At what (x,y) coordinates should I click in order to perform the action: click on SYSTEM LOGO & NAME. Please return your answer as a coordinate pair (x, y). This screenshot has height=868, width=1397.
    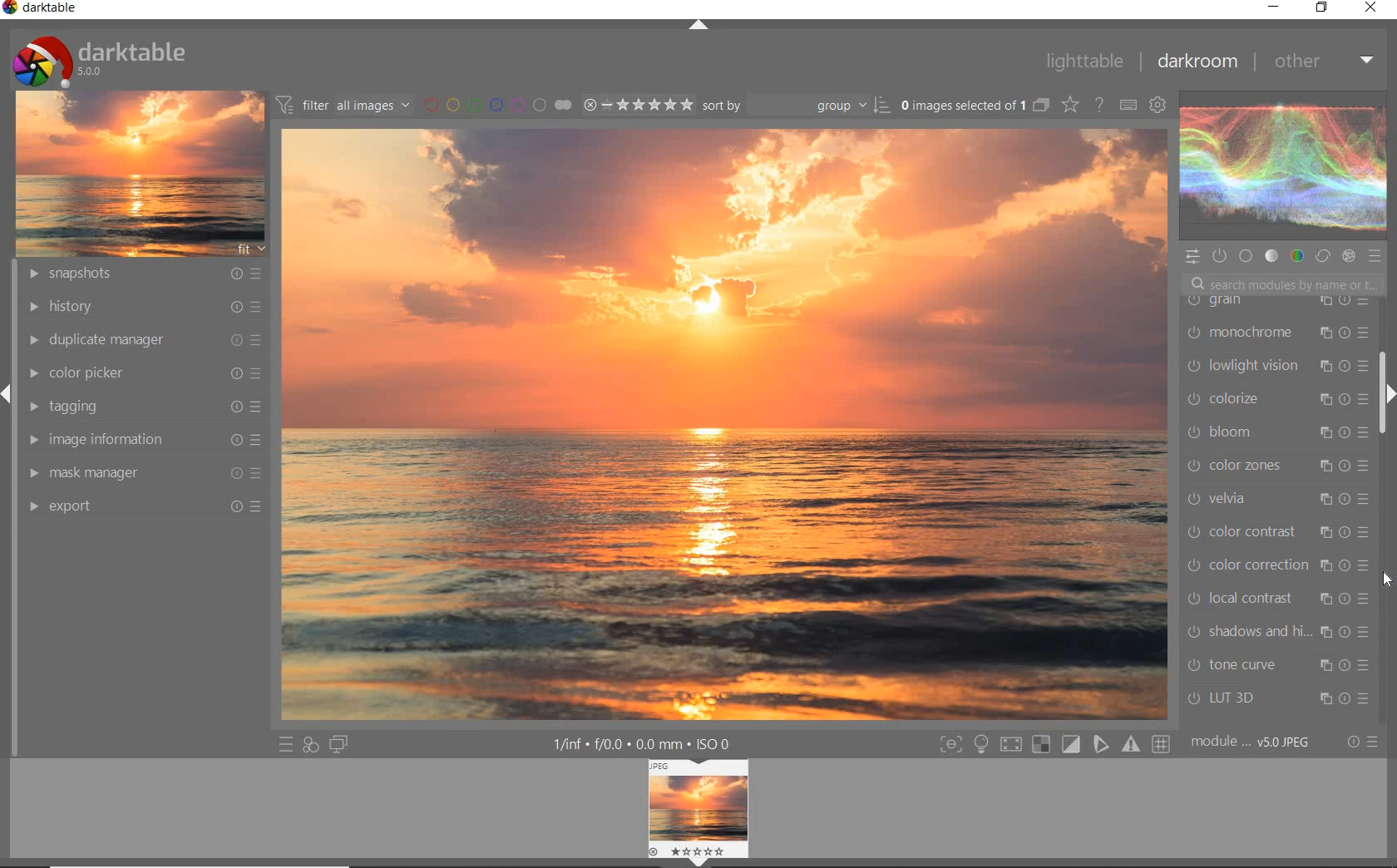
    Looking at the image, I should click on (99, 57).